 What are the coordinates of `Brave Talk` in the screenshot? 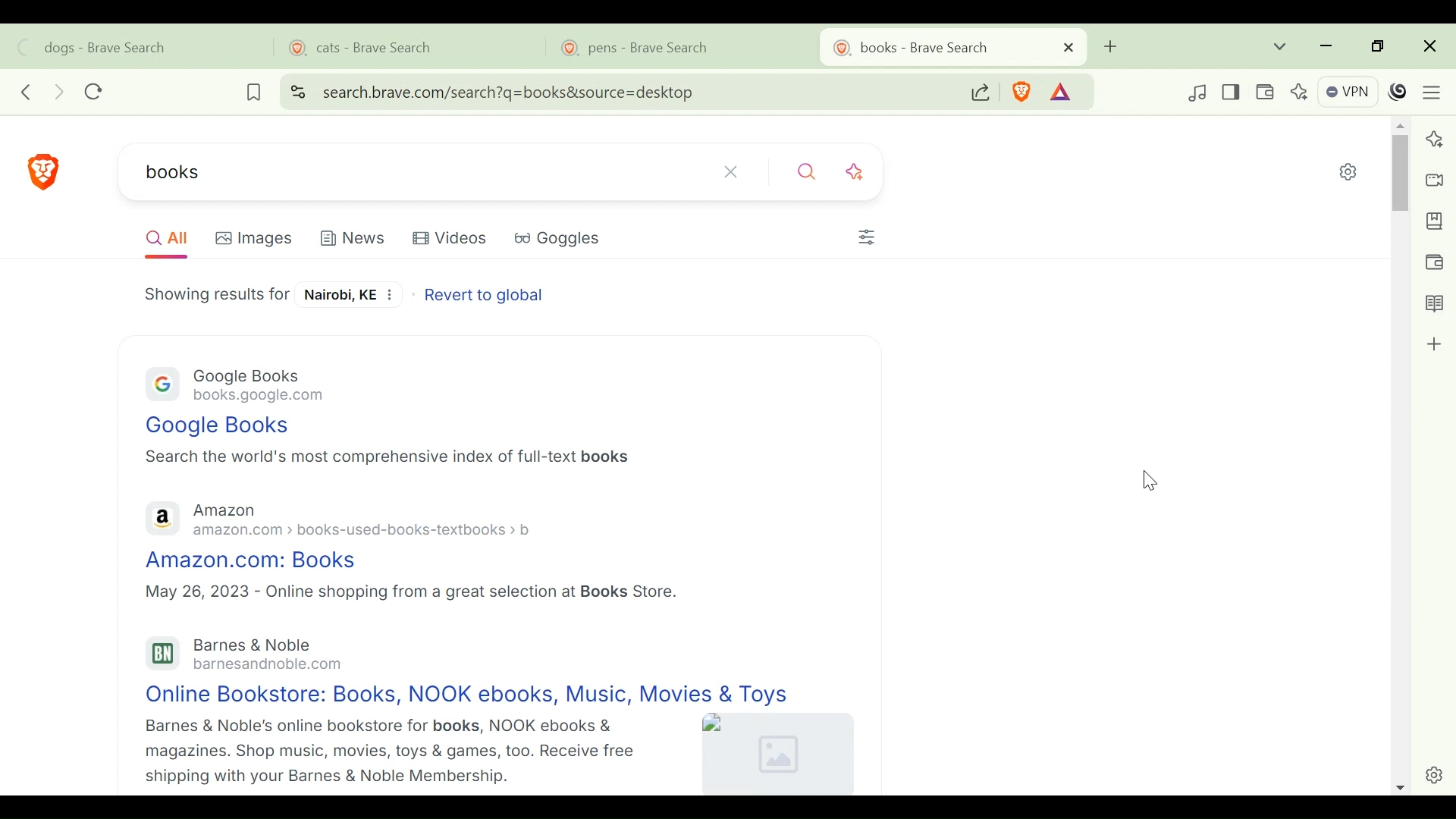 It's located at (1434, 180).